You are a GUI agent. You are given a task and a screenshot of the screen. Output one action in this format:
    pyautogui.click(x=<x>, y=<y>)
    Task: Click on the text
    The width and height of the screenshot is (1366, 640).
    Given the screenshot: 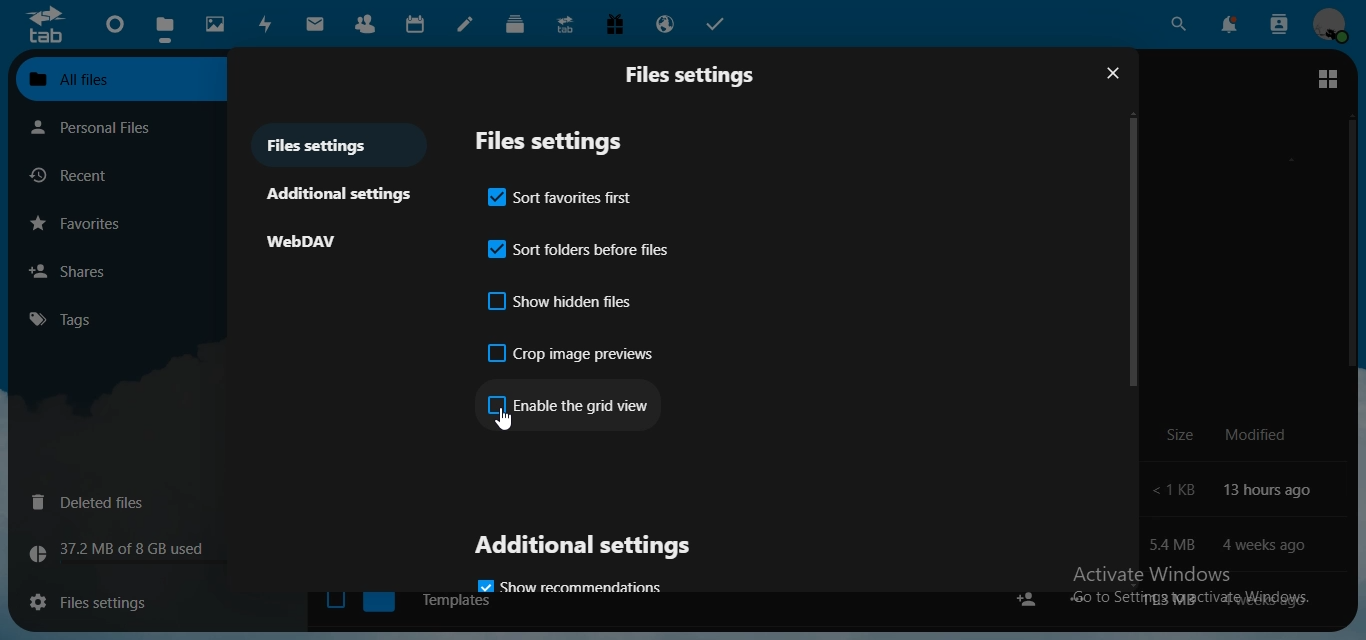 What is the action you would take?
    pyautogui.click(x=1263, y=598)
    